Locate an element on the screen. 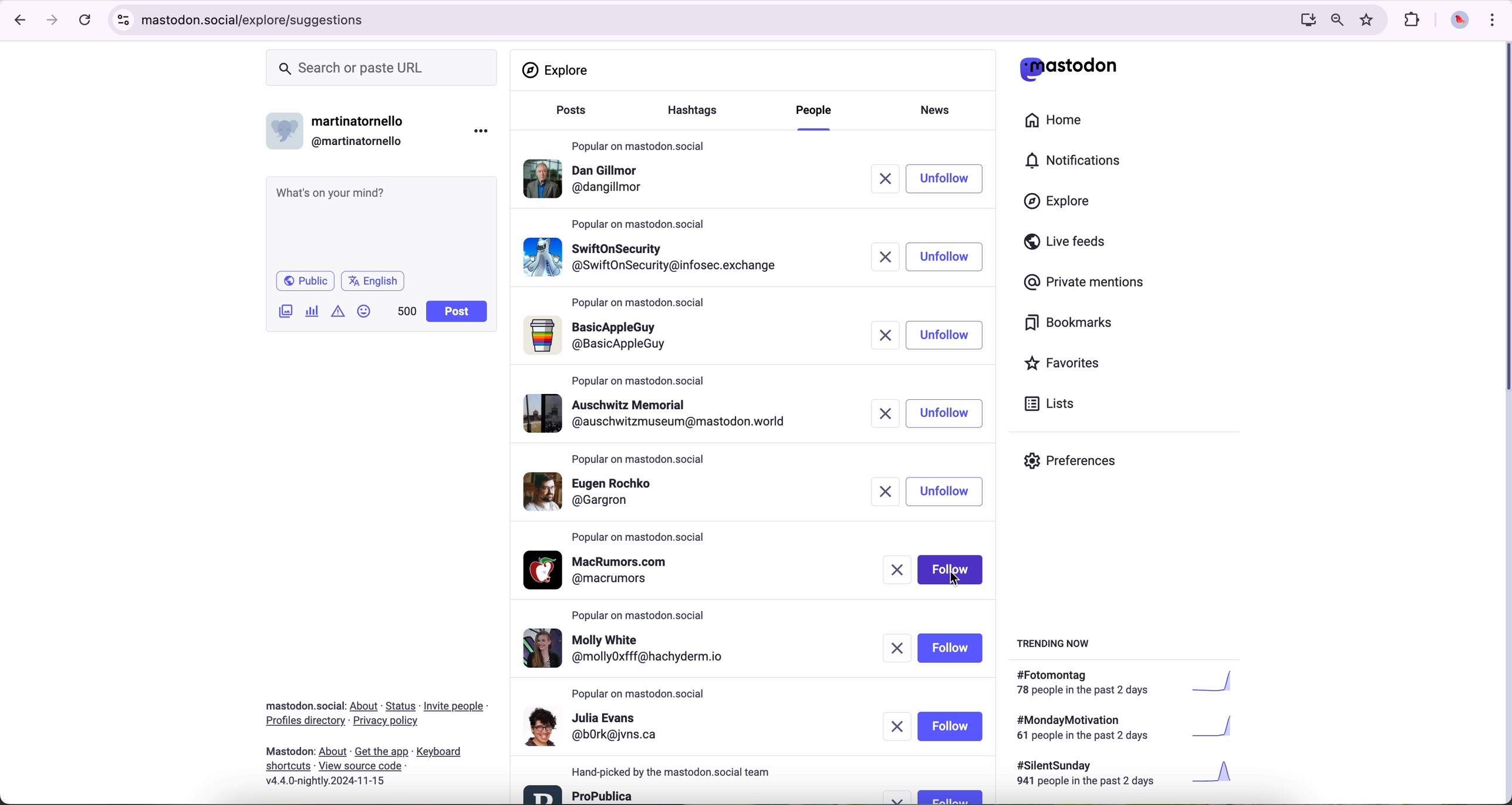 Image resolution: width=1512 pixels, height=805 pixels. explore section is located at coordinates (558, 70).